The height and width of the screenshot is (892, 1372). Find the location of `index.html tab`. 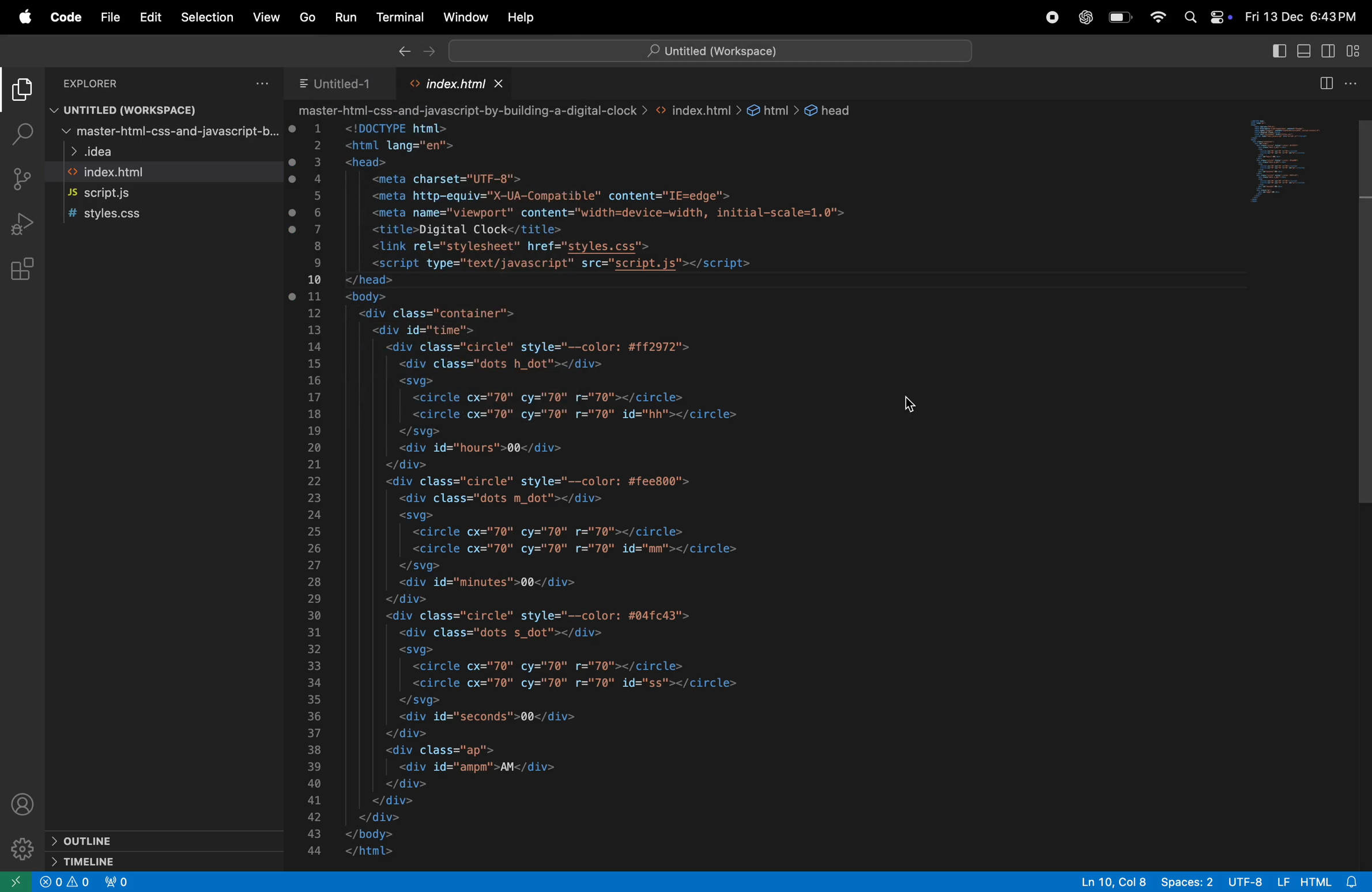

index.html tab is located at coordinates (457, 85).